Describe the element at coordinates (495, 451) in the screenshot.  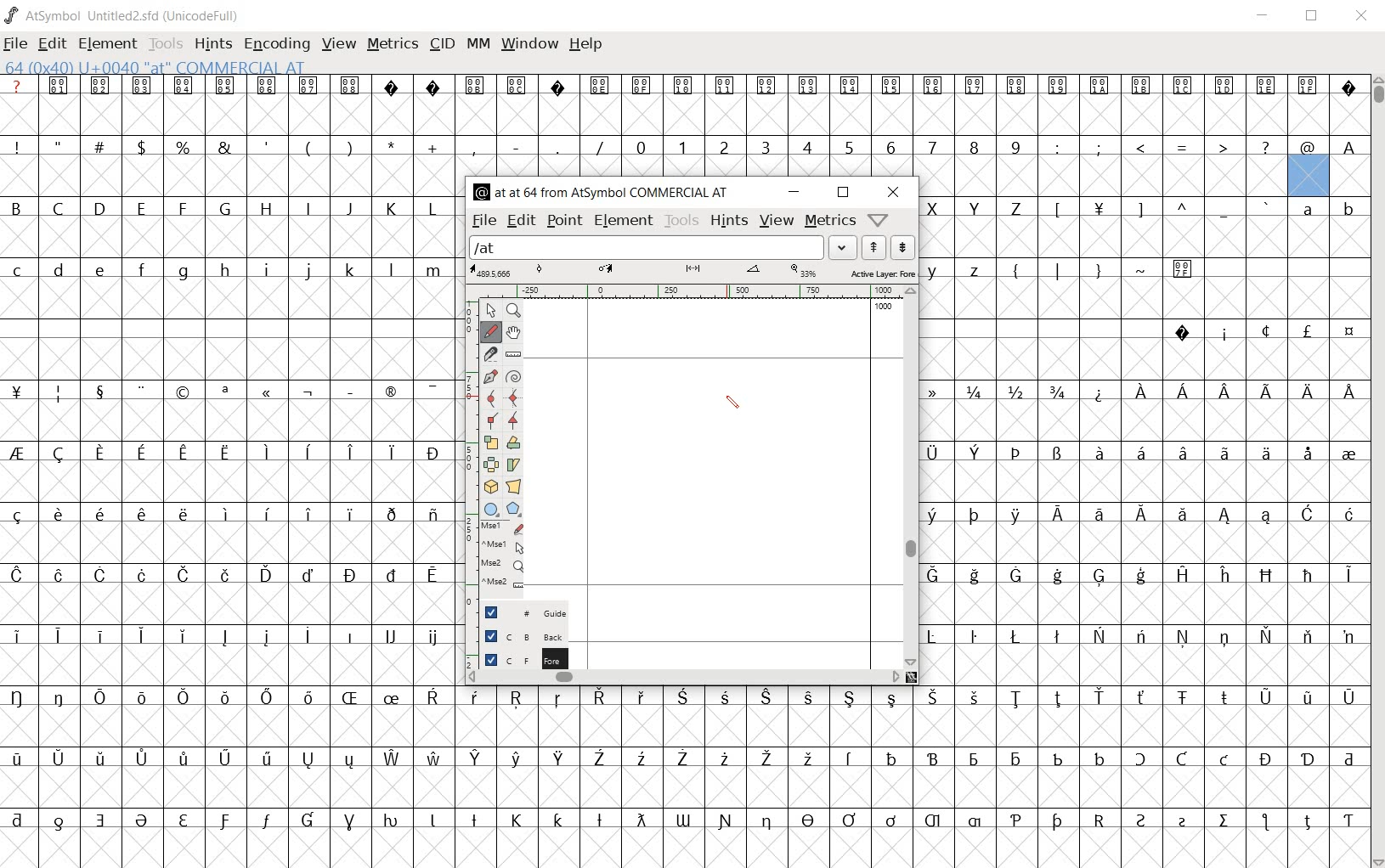
I see `editing tools` at that location.